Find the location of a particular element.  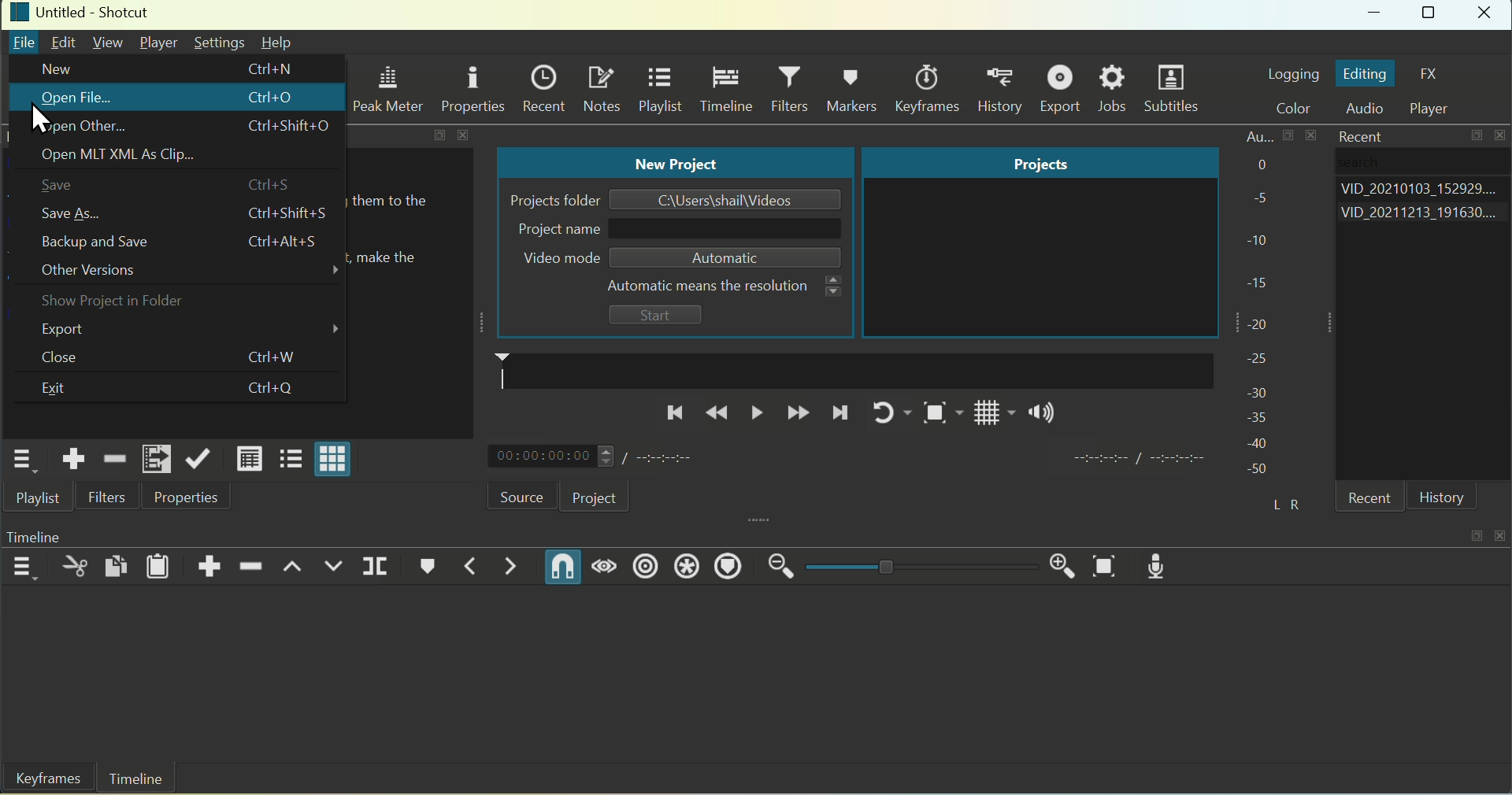

Timeline is located at coordinates (725, 90).